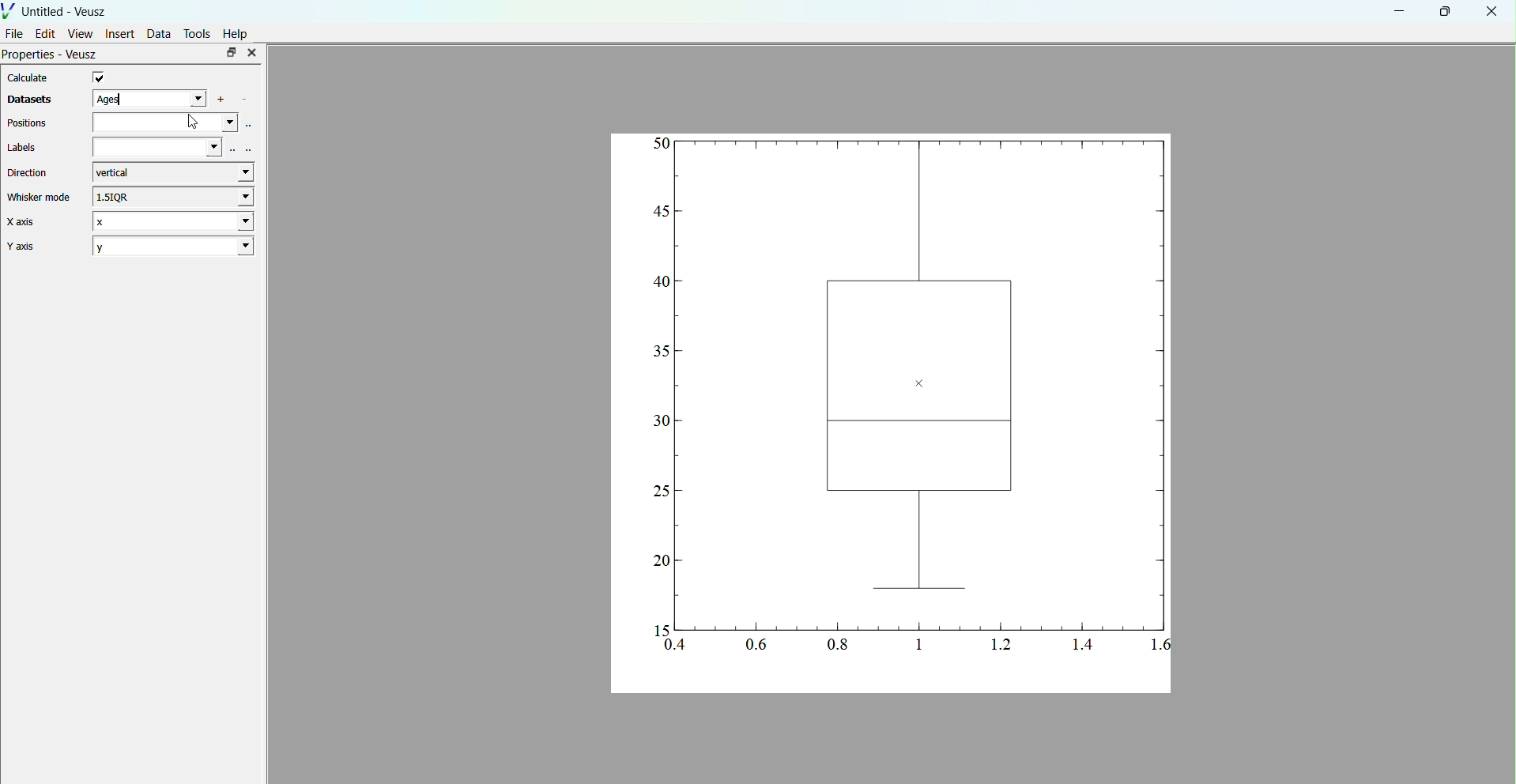  Describe the element at coordinates (120, 33) in the screenshot. I see `Insert` at that location.